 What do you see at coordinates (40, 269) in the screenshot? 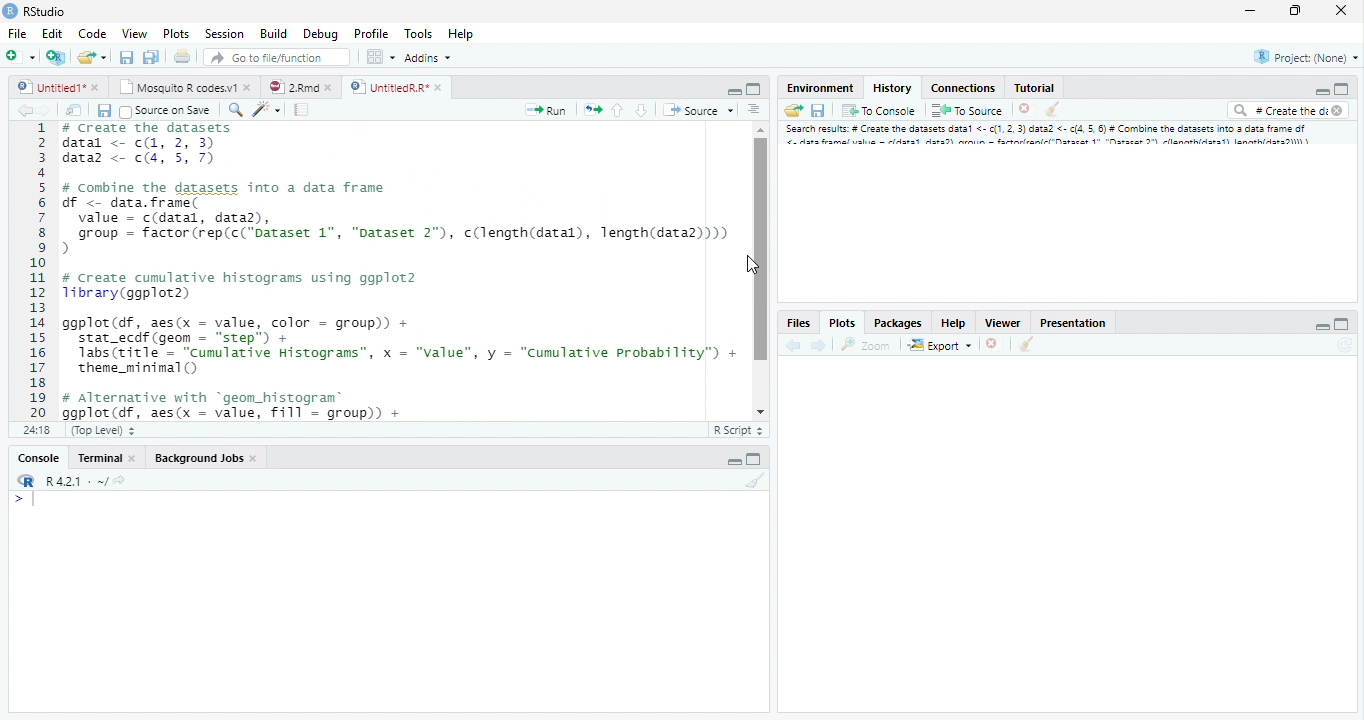
I see `Numbers` at bounding box center [40, 269].